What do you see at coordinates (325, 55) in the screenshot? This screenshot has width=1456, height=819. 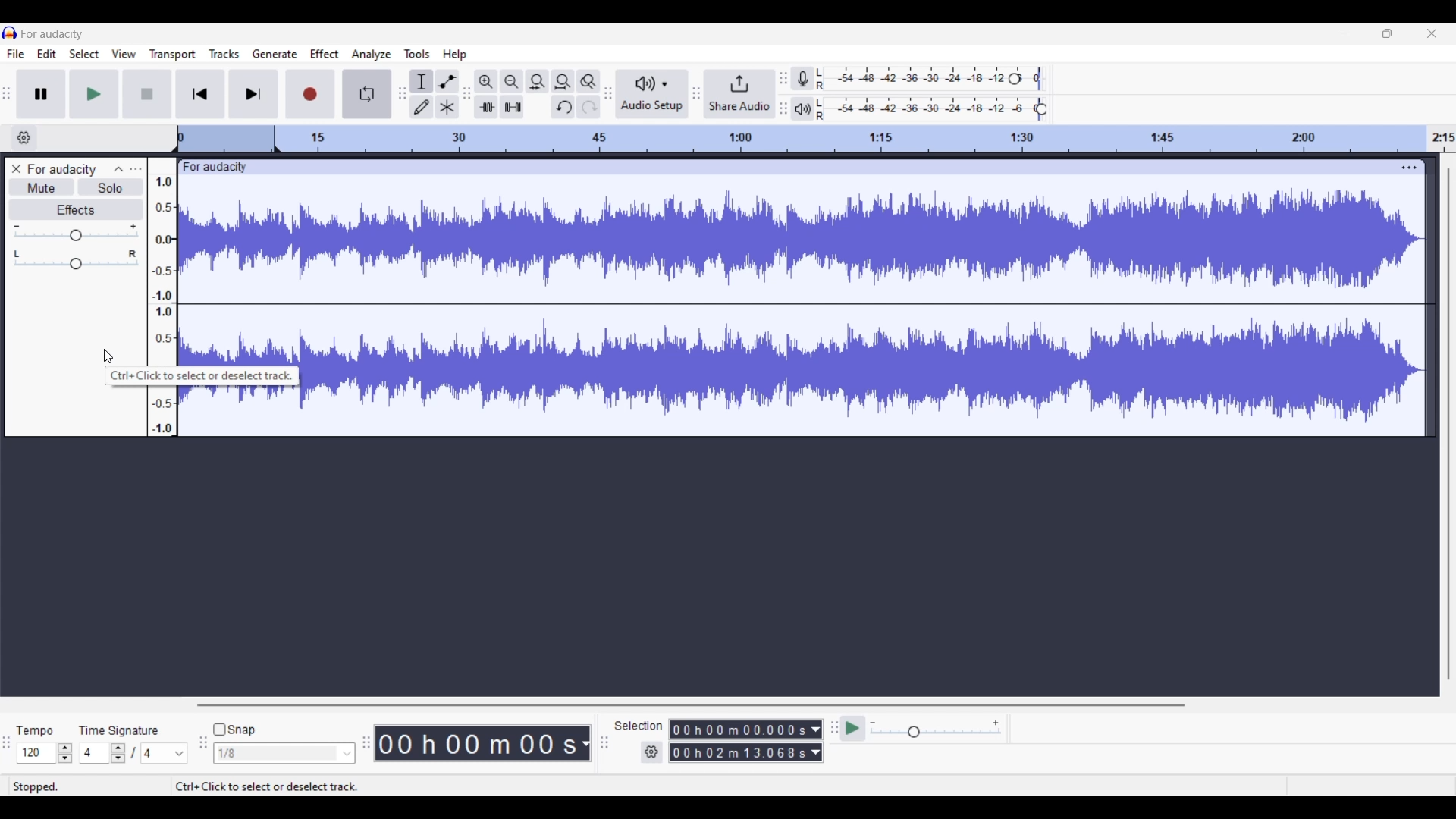 I see `Effect menu` at bounding box center [325, 55].